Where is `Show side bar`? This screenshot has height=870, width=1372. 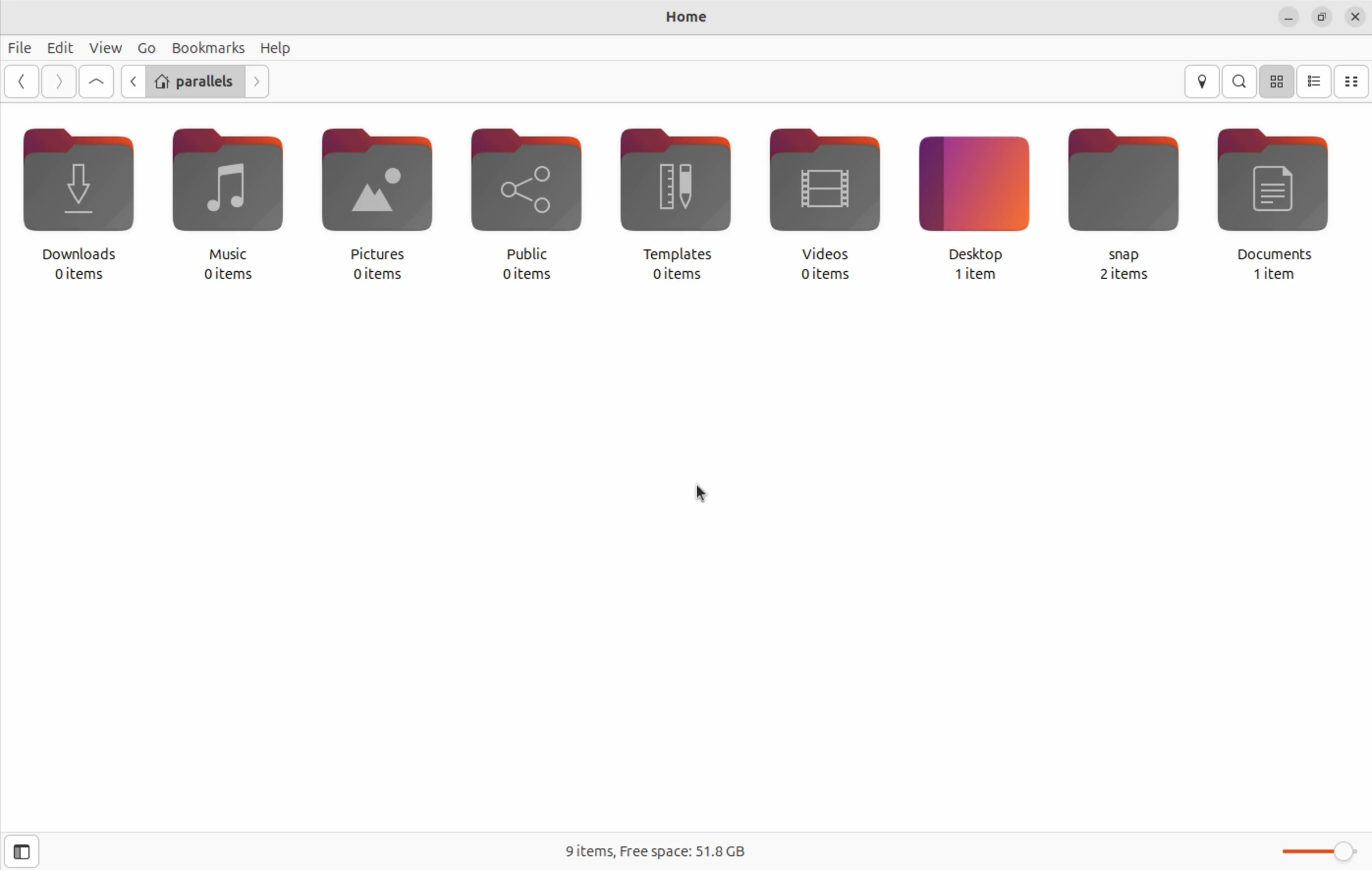 Show side bar is located at coordinates (20, 851).